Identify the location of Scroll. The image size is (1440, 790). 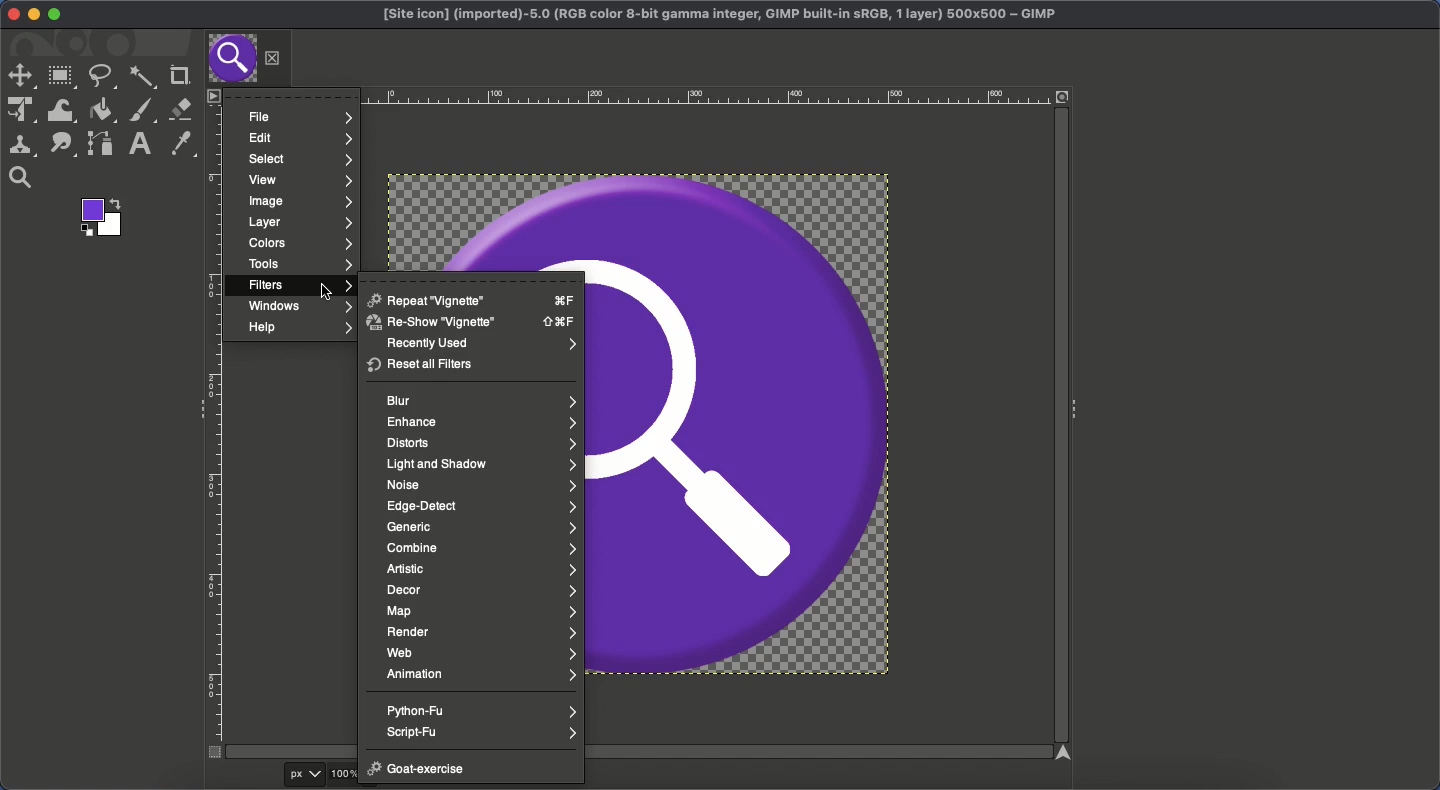
(633, 752).